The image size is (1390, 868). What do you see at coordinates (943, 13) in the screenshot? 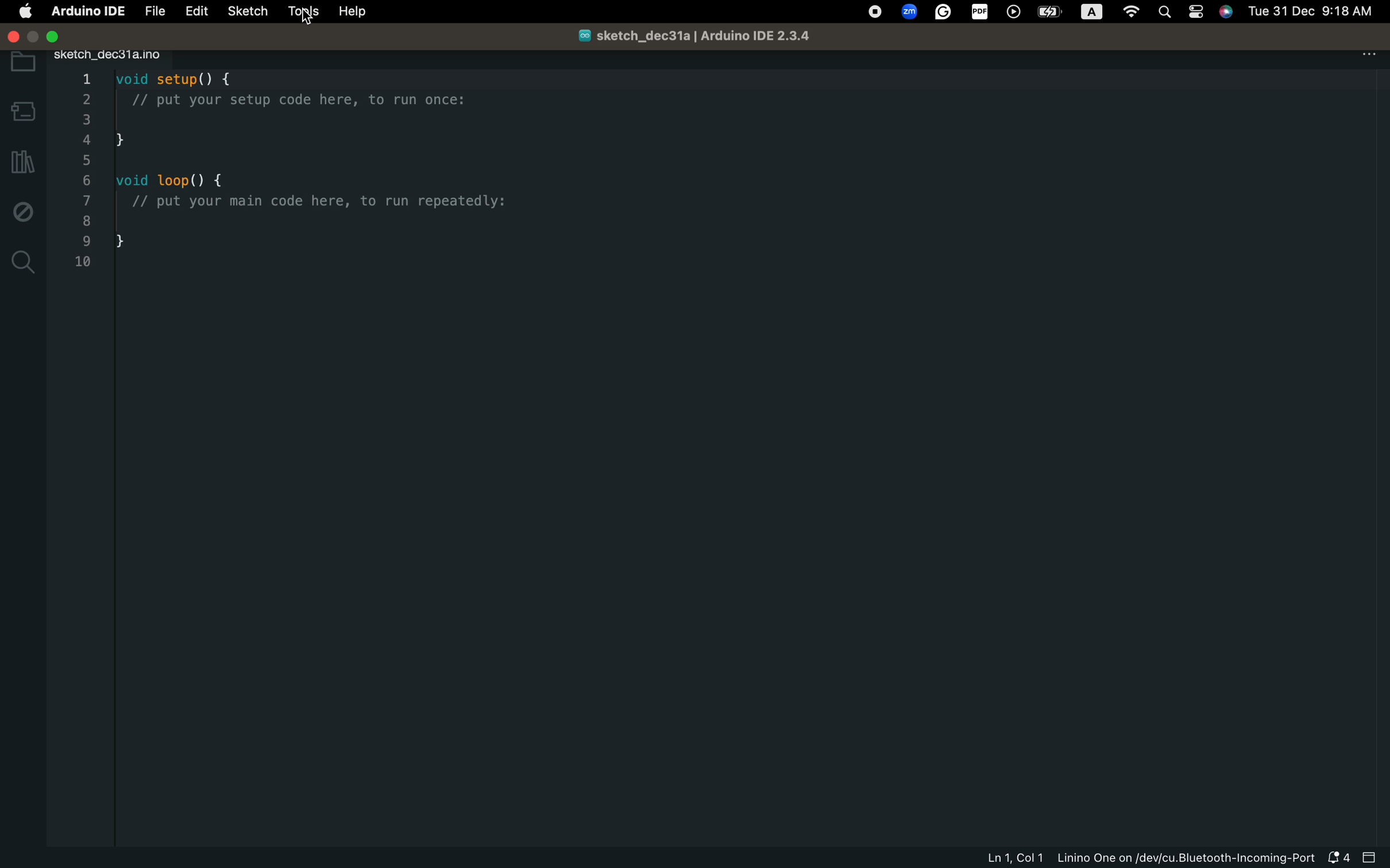
I see `google extension` at bounding box center [943, 13].